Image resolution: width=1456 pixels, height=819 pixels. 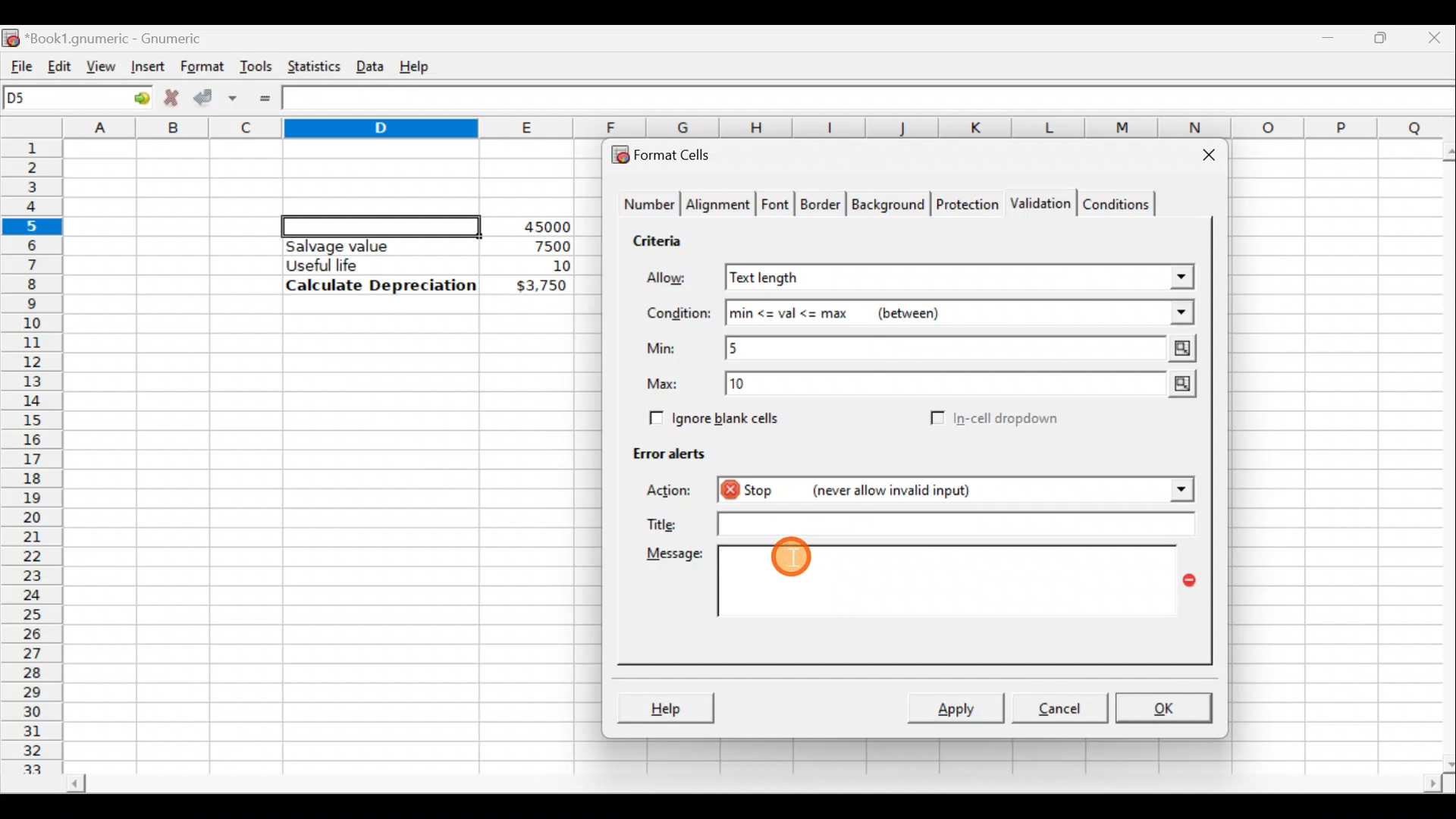 What do you see at coordinates (924, 492) in the screenshot?
I see `Stop (never allow invalid input) action selected` at bounding box center [924, 492].